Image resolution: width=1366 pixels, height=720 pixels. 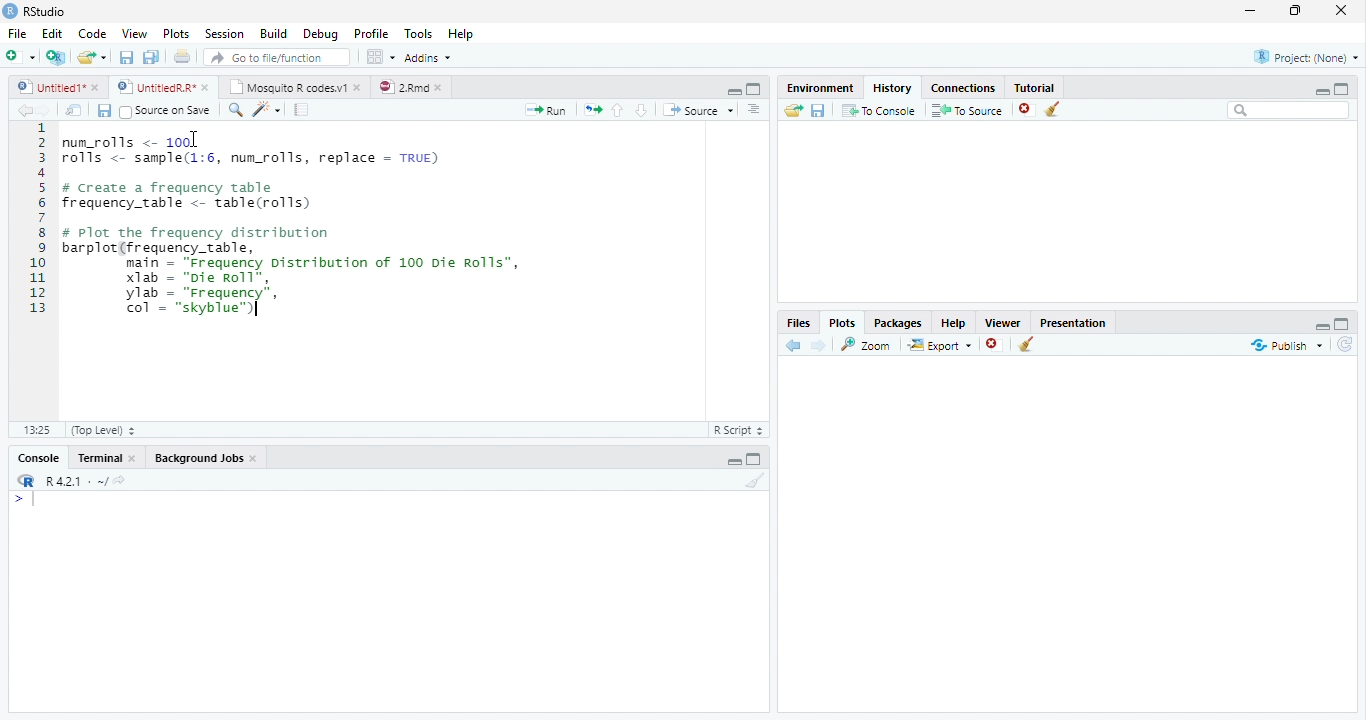 What do you see at coordinates (53, 31) in the screenshot?
I see `Edit` at bounding box center [53, 31].